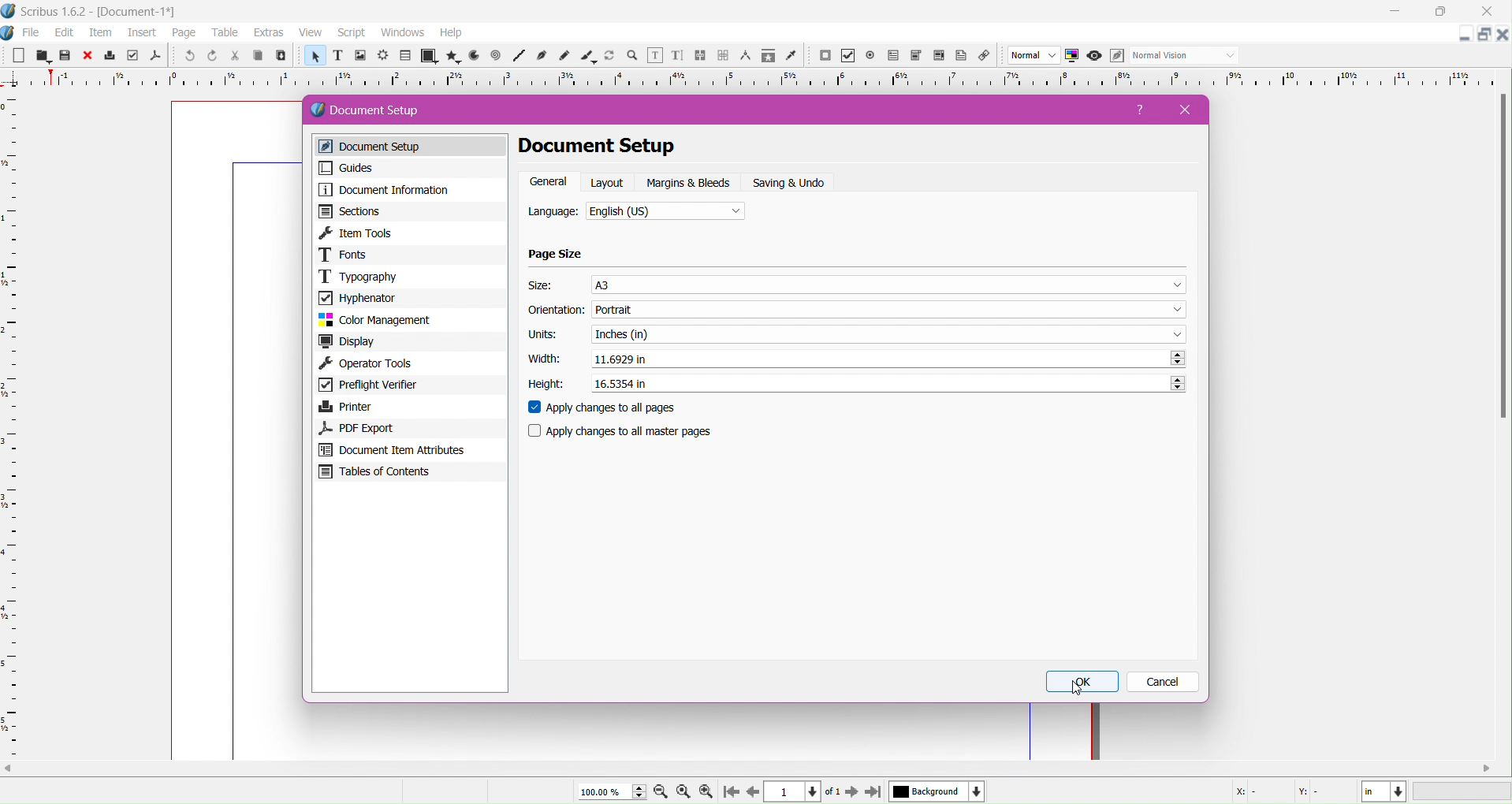  What do you see at coordinates (1034, 56) in the screenshot?
I see `image preview quality` at bounding box center [1034, 56].